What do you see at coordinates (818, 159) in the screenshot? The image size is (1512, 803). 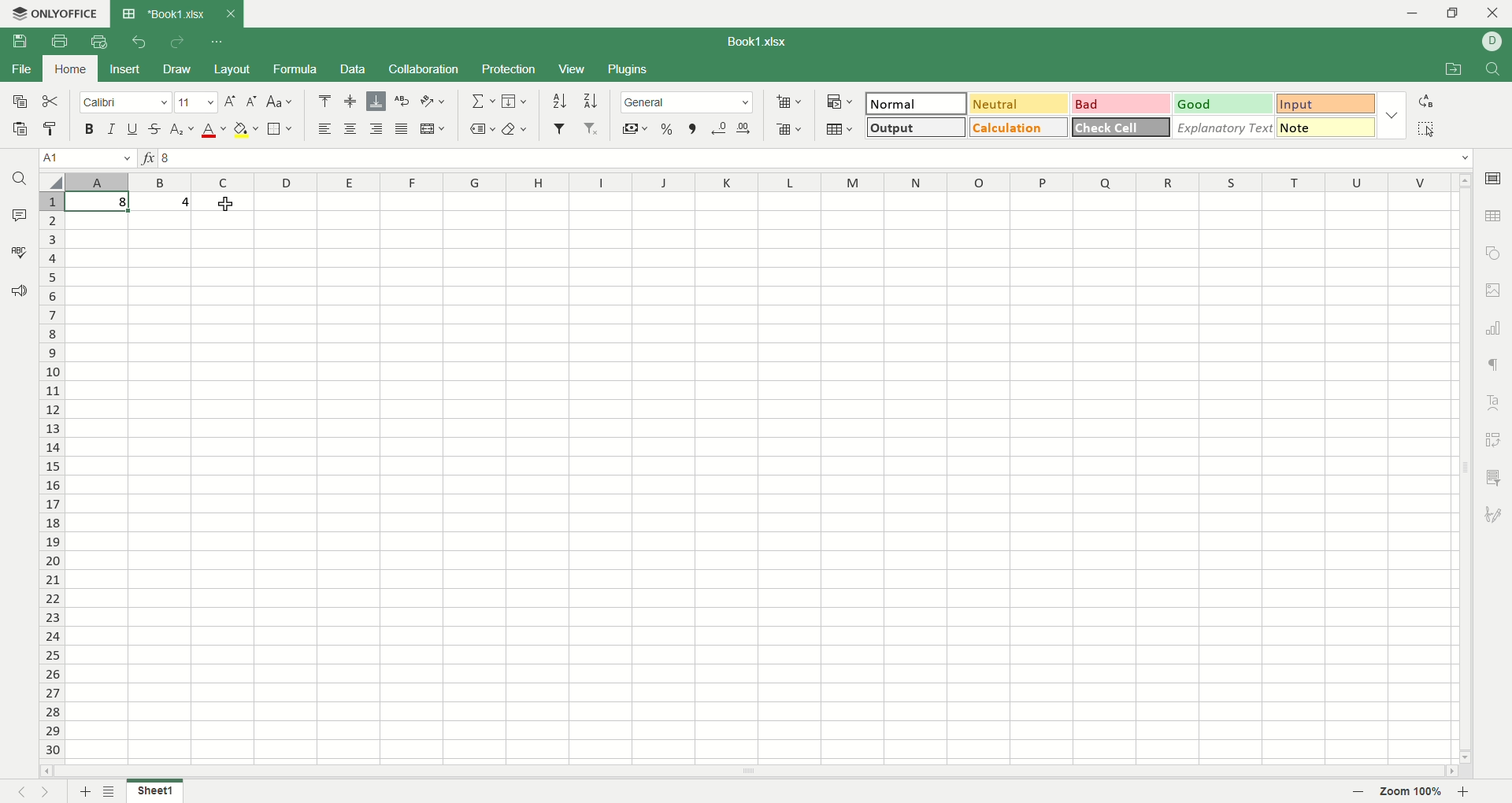 I see `input line` at bounding box center [818, 159].